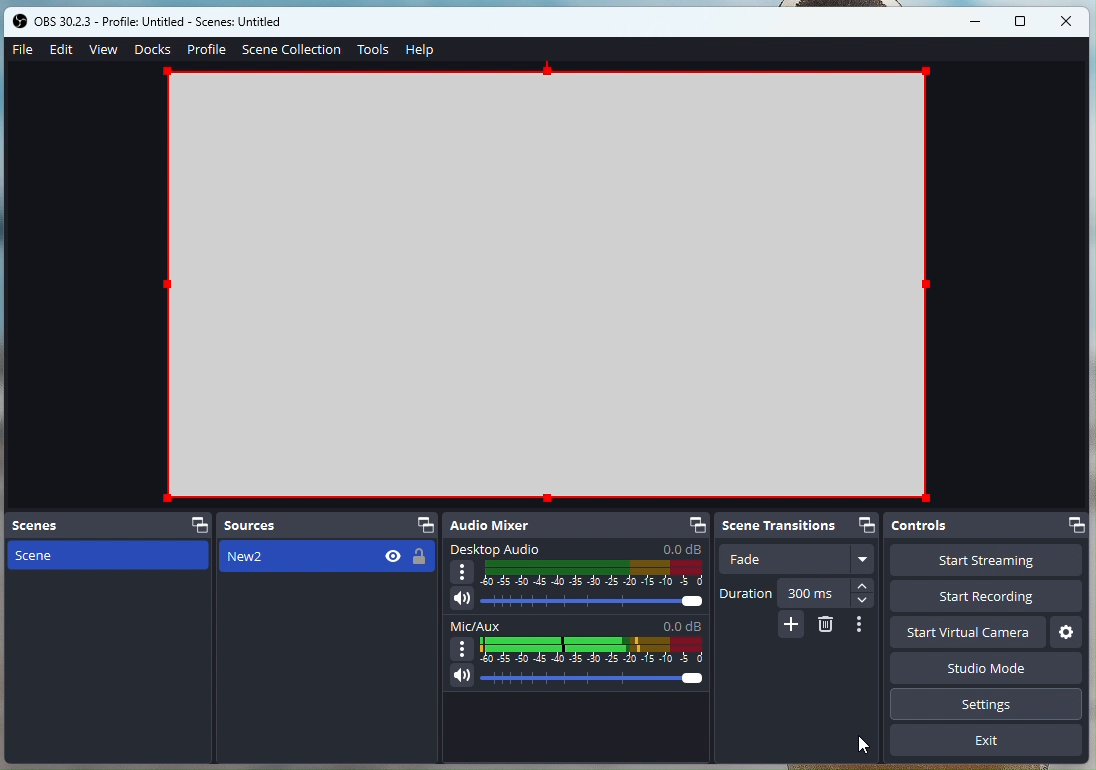 The height and width of the screenshot is (770, 1096). I want to click on speaker, so click(462, 597).